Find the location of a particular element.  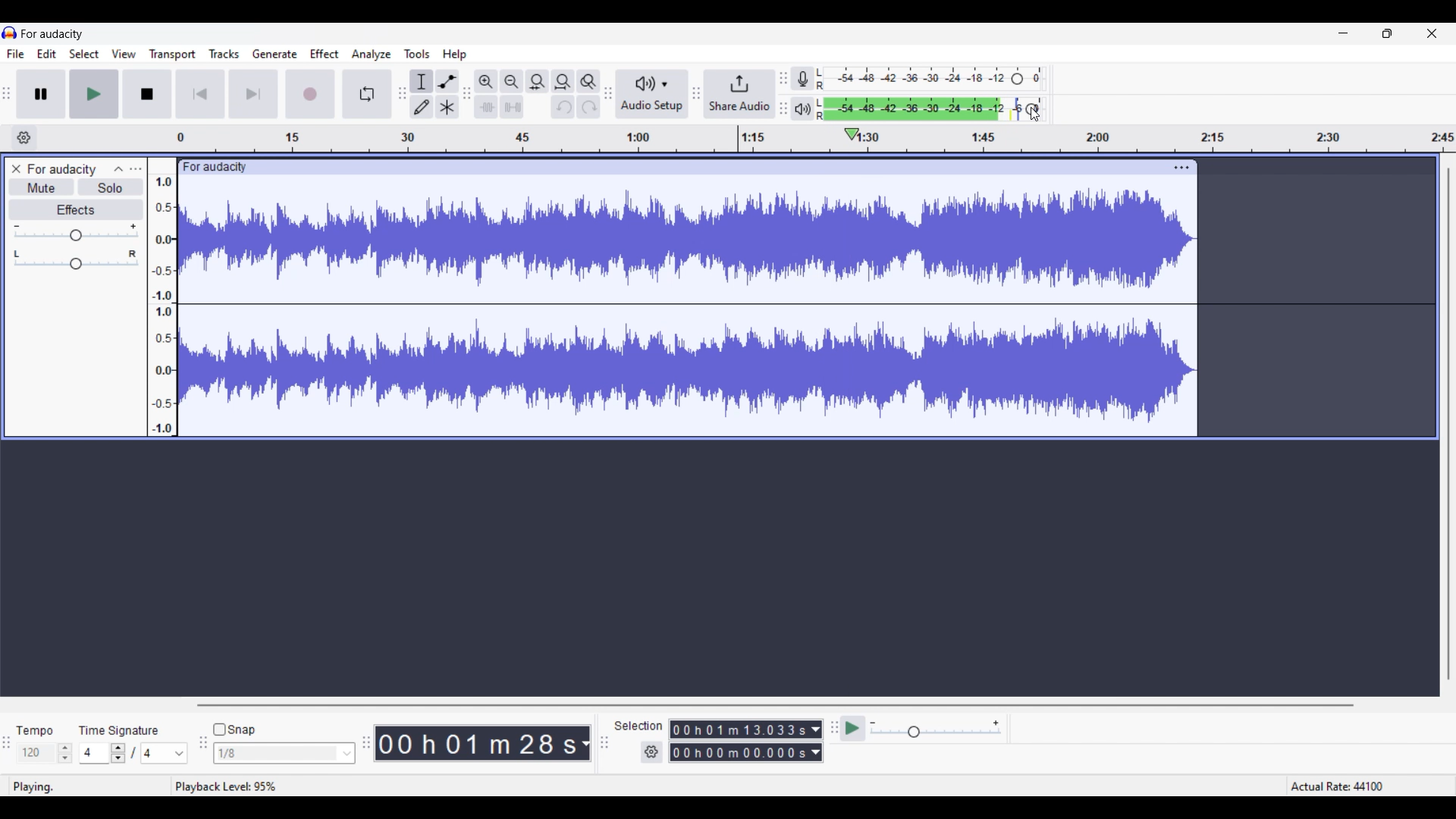

Project name is located at coordinates (52, 34).